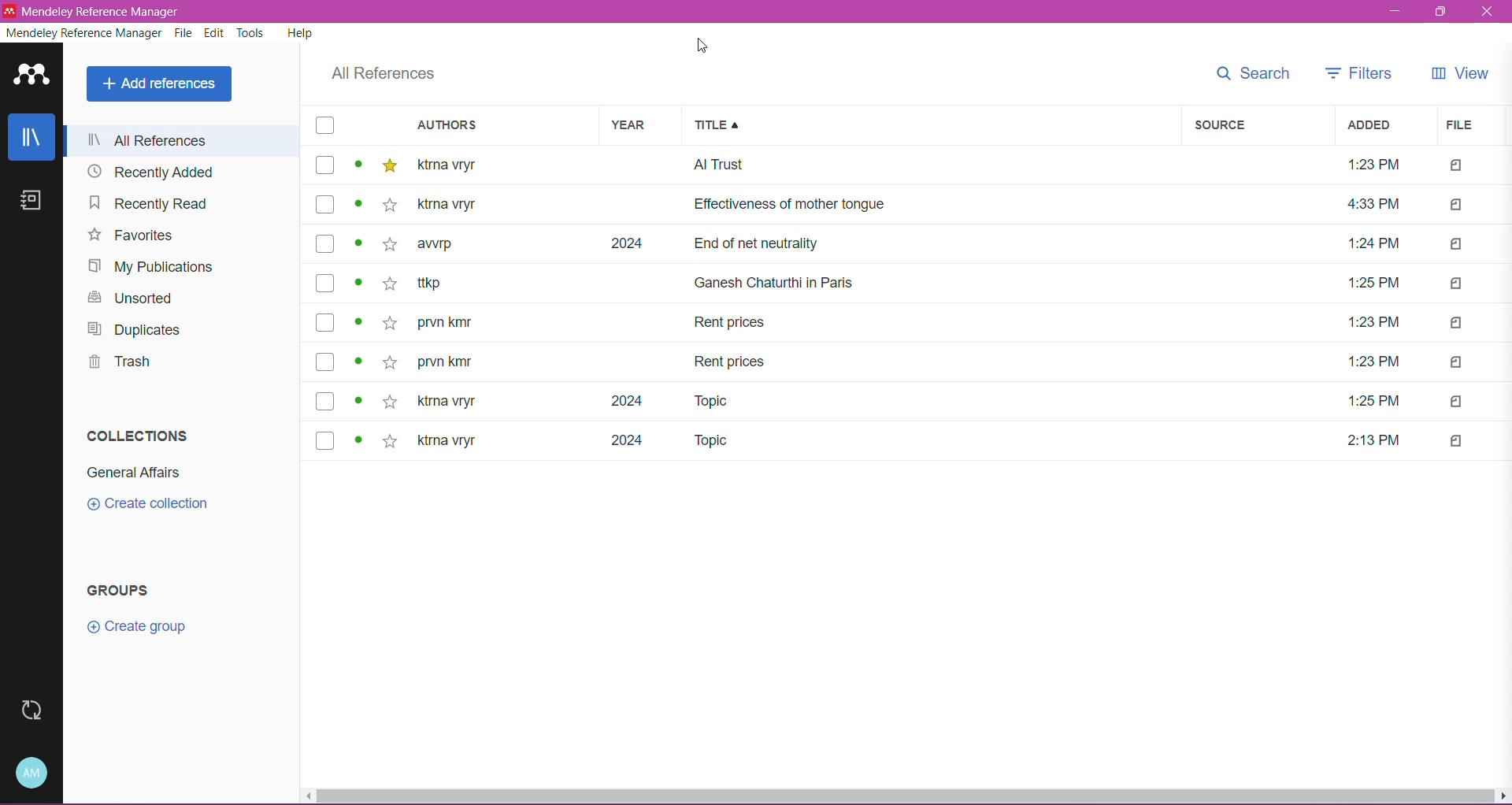  Describe the element at coordinates (704, 43) in the screenshot. I see `Cursor` at that location.